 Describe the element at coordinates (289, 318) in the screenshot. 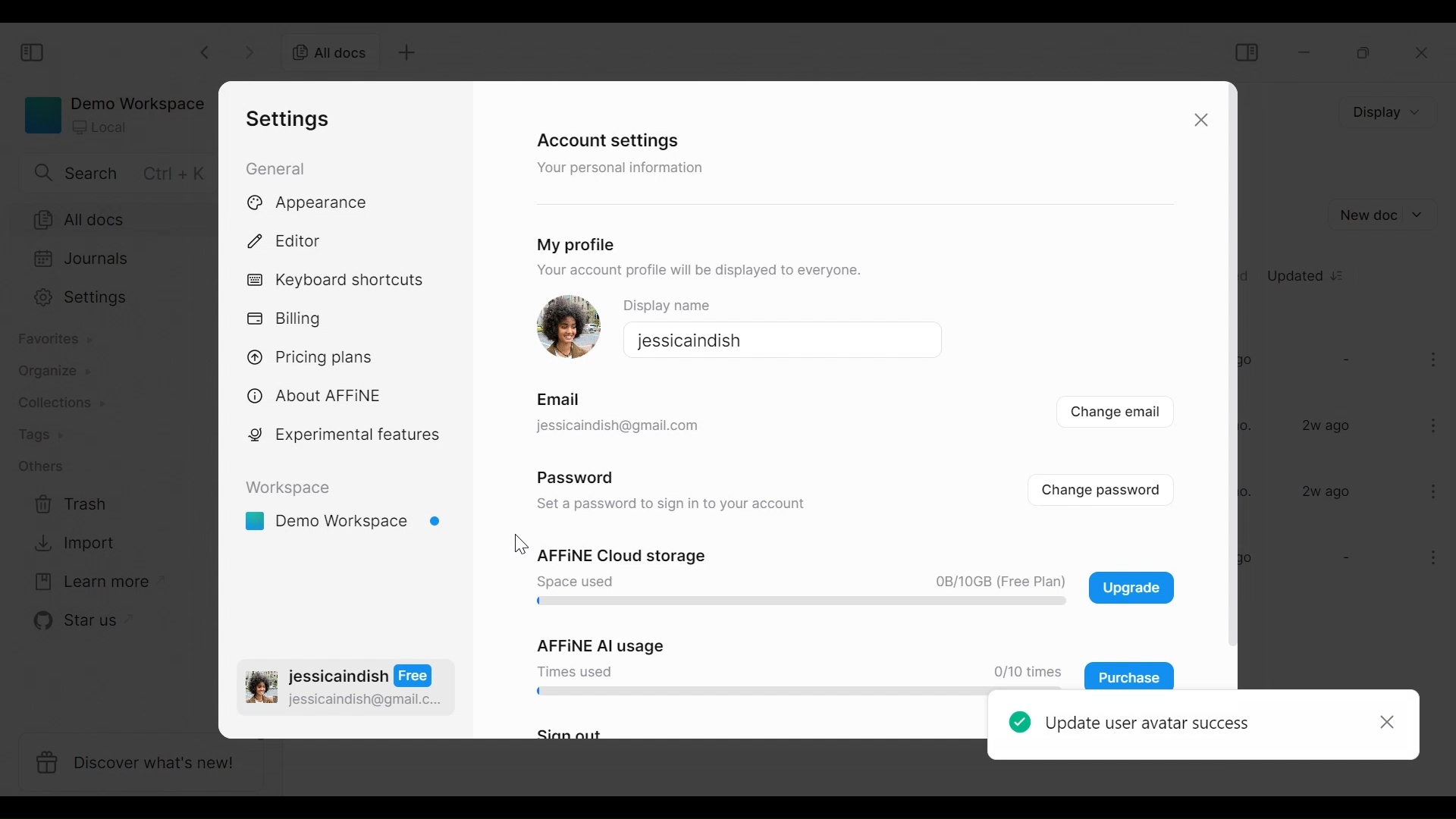

I see `Billings` at that location.